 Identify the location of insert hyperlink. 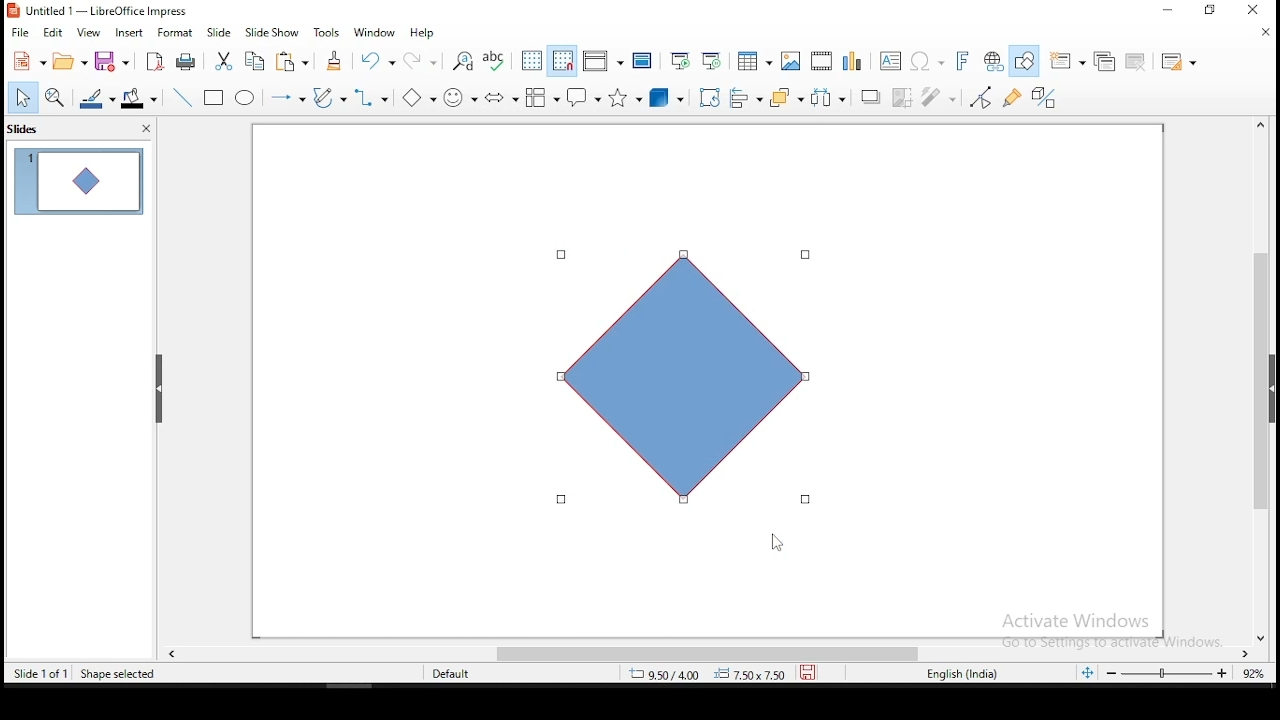
(994, 61).